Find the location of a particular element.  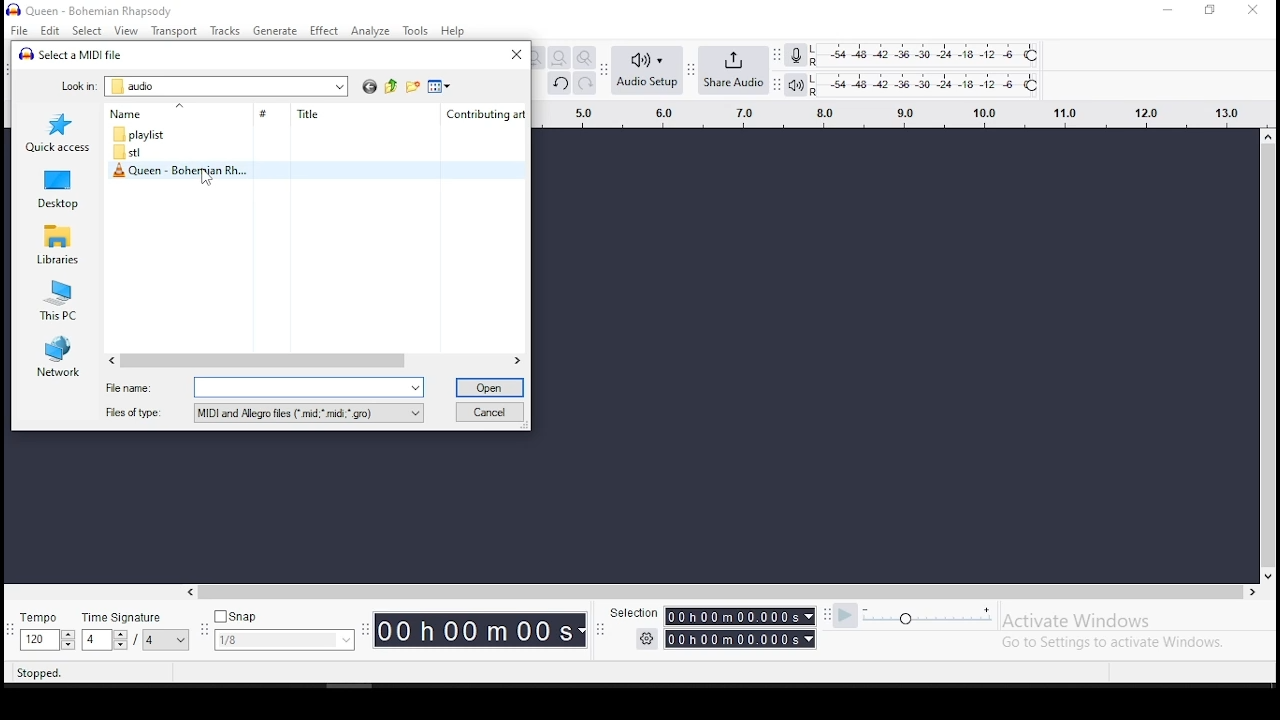

look in is located at coordinates (203, 85).